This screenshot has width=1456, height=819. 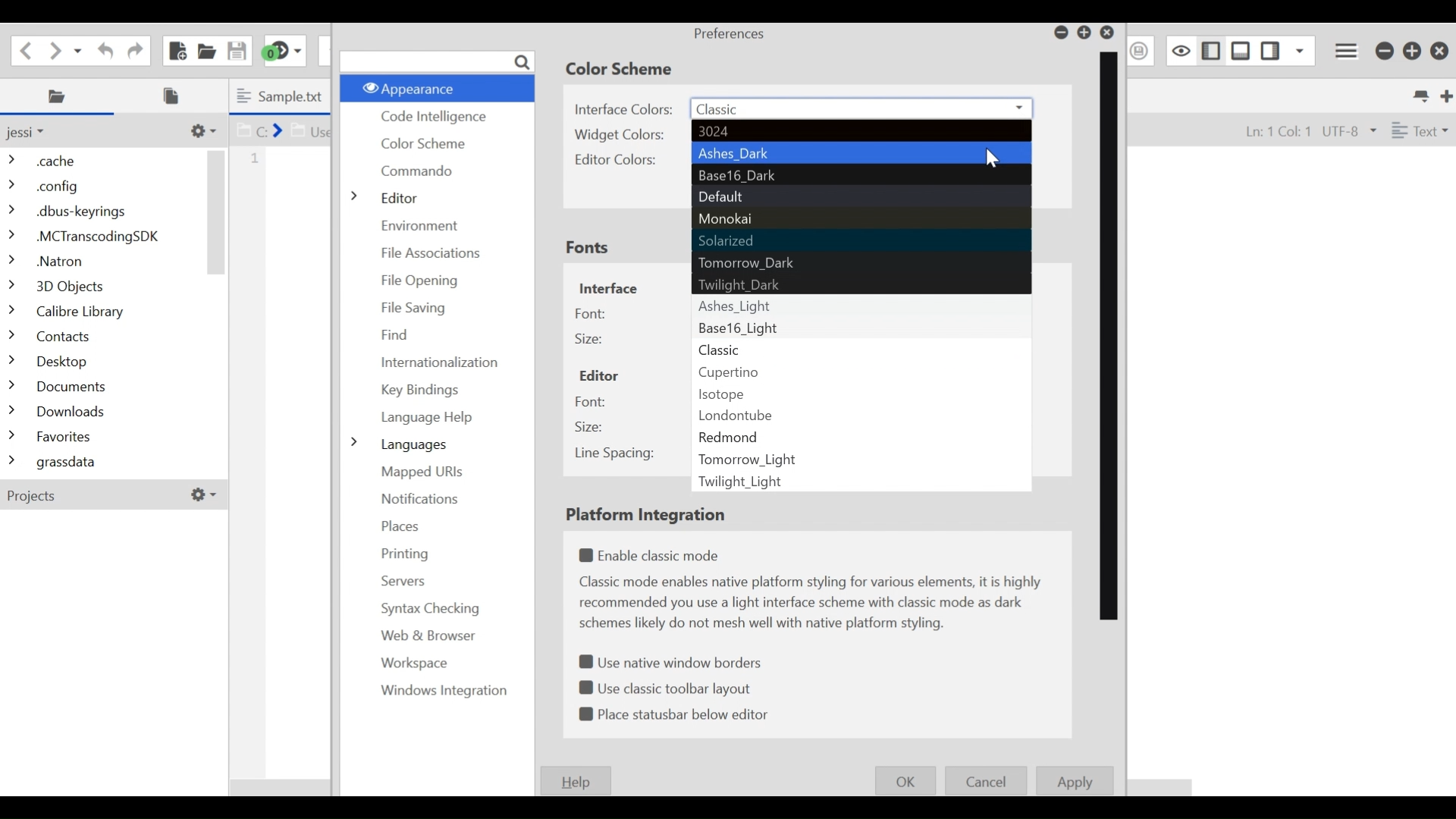 What do you see at coordinates (284, 51) in the screenshot?
I see `jump to the next syntax checking result` at bounding box center [284, 51].